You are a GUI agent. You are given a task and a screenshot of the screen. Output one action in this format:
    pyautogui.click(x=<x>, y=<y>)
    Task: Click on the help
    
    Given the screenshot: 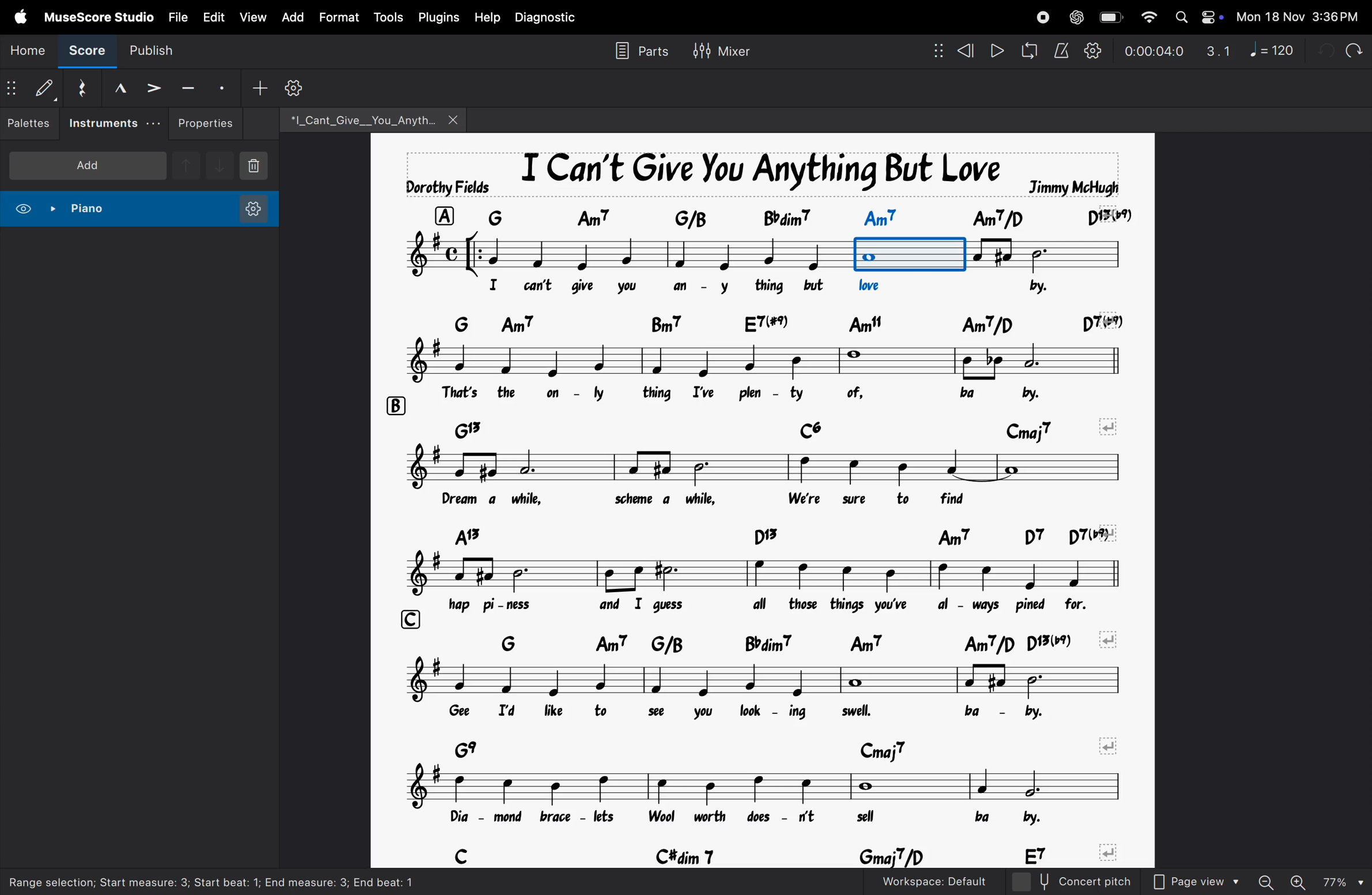 What is the action you would take?
    pyautogui.click(x=485, y=16)
    